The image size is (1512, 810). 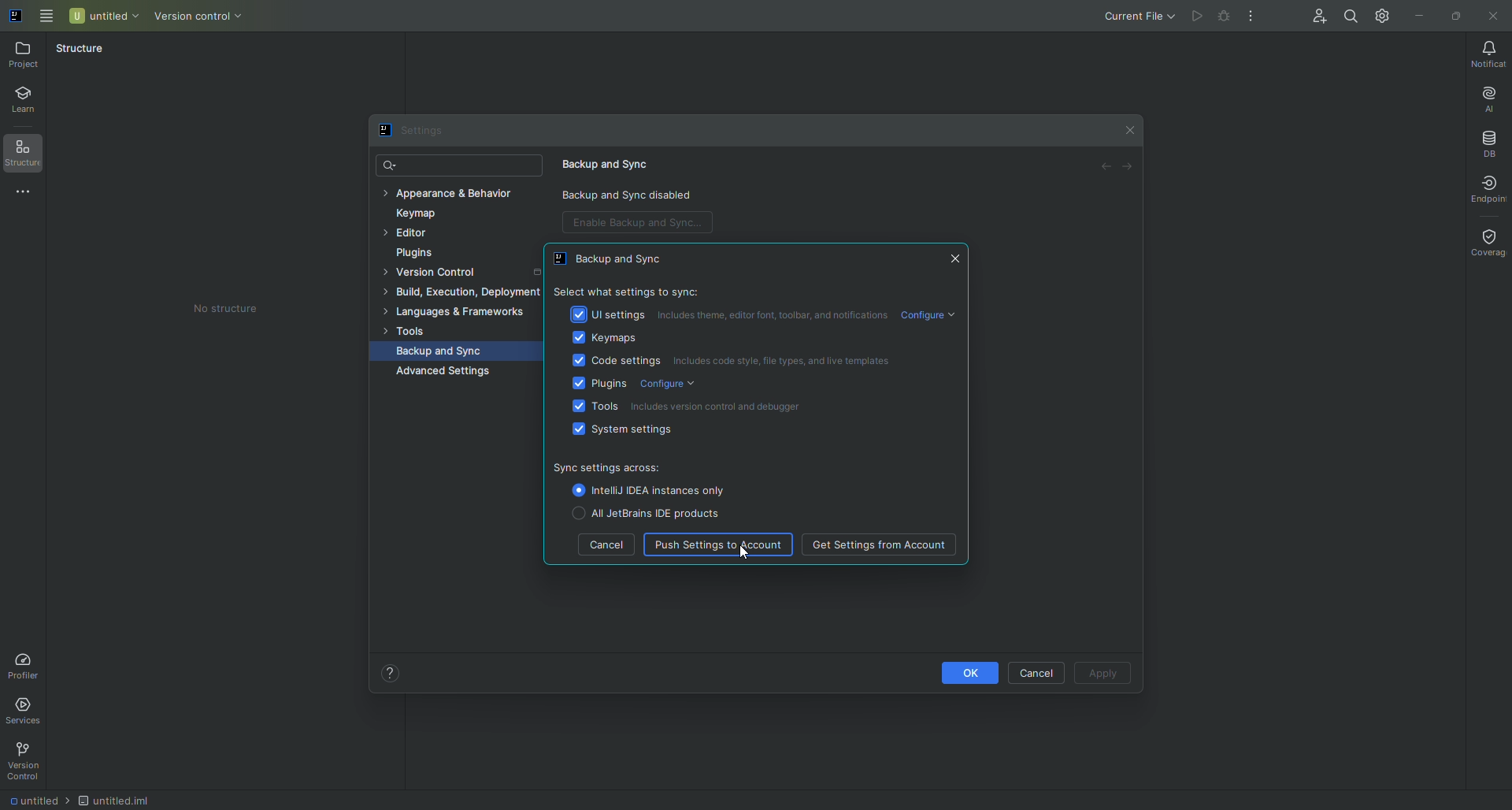 What do you see at coordinates (414, 236) in the screenshot?
I see `Editor` at bounding box center [414, 236].